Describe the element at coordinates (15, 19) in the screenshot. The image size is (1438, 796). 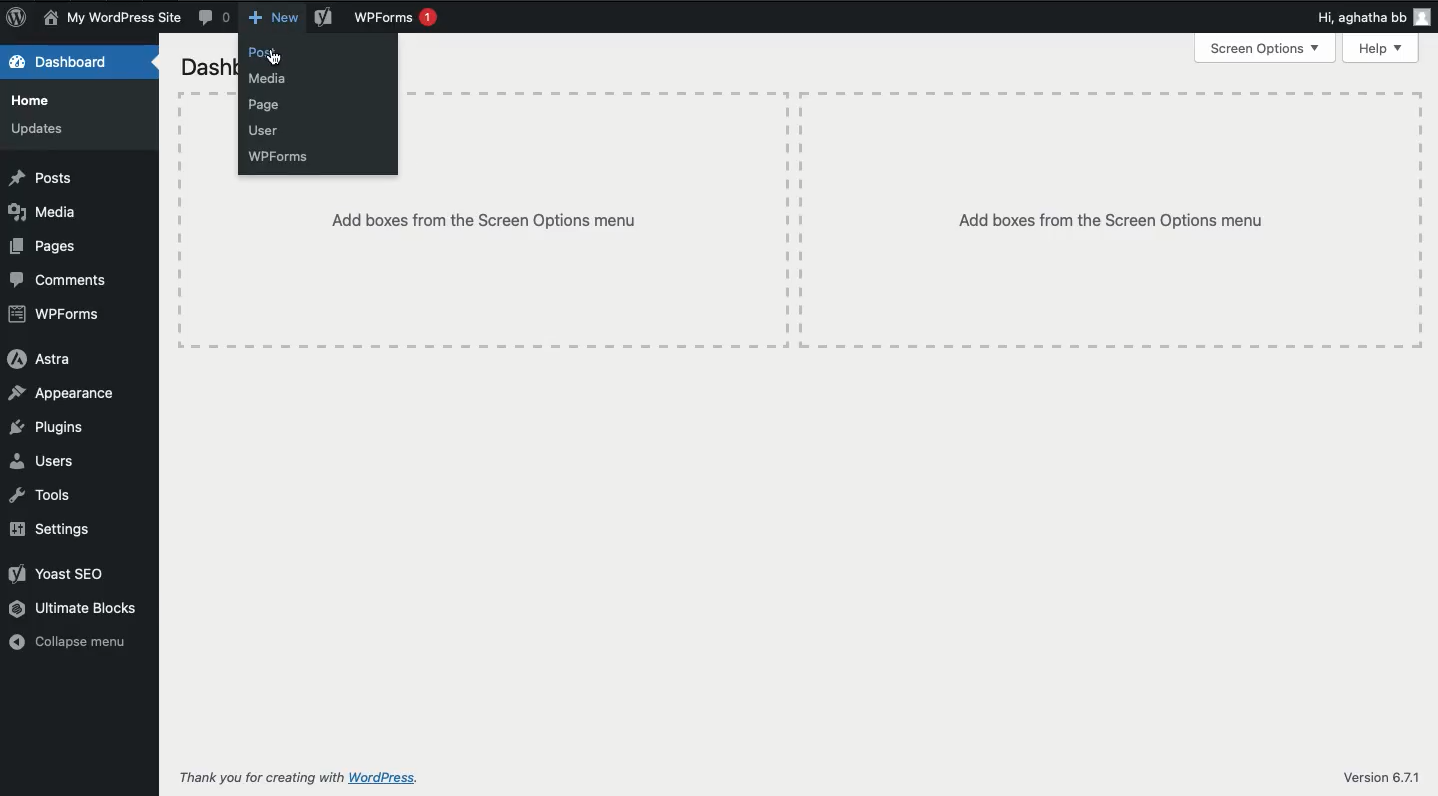
I see `Logo` at that location.